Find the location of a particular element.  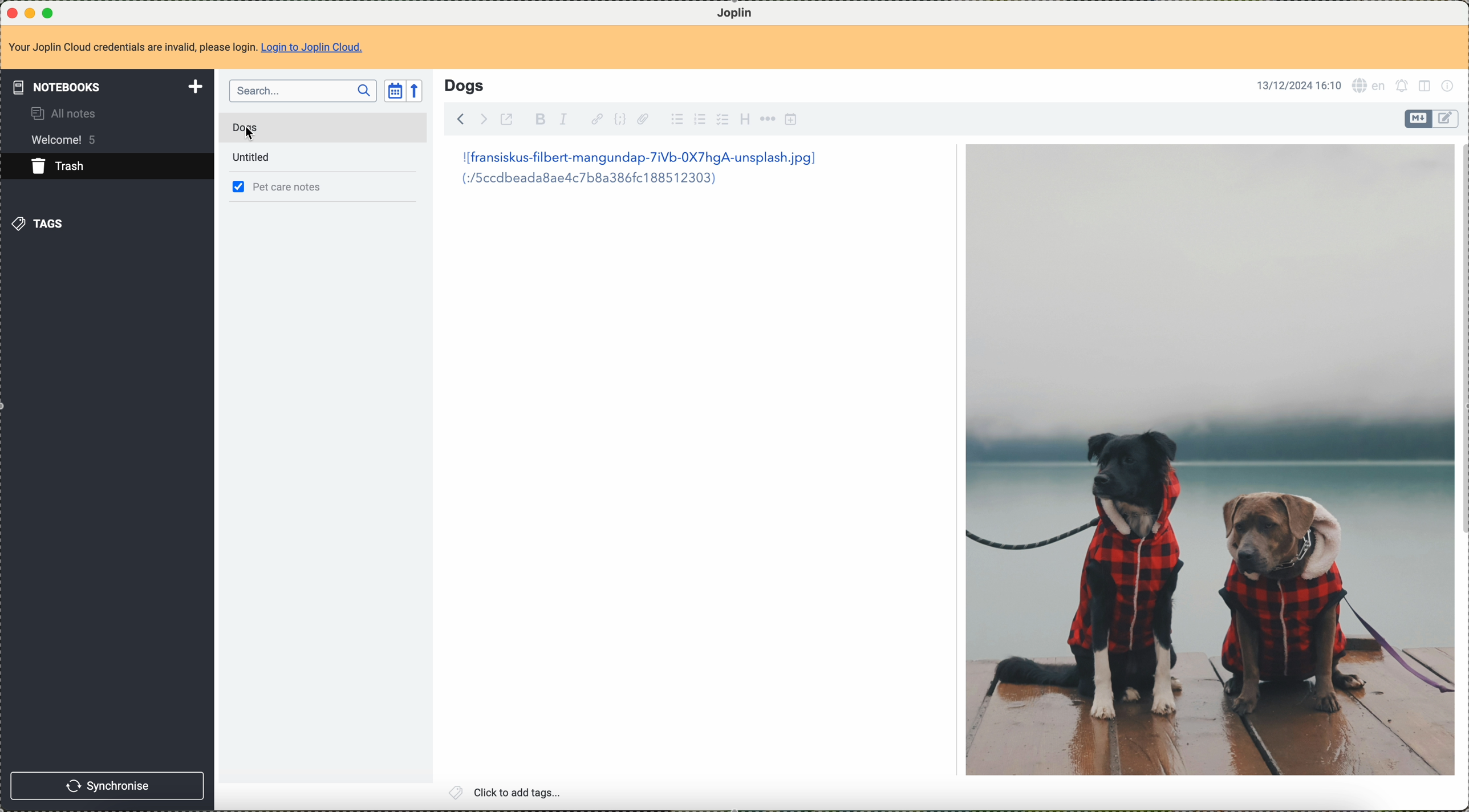

italic is located at coordinates (563, 120).